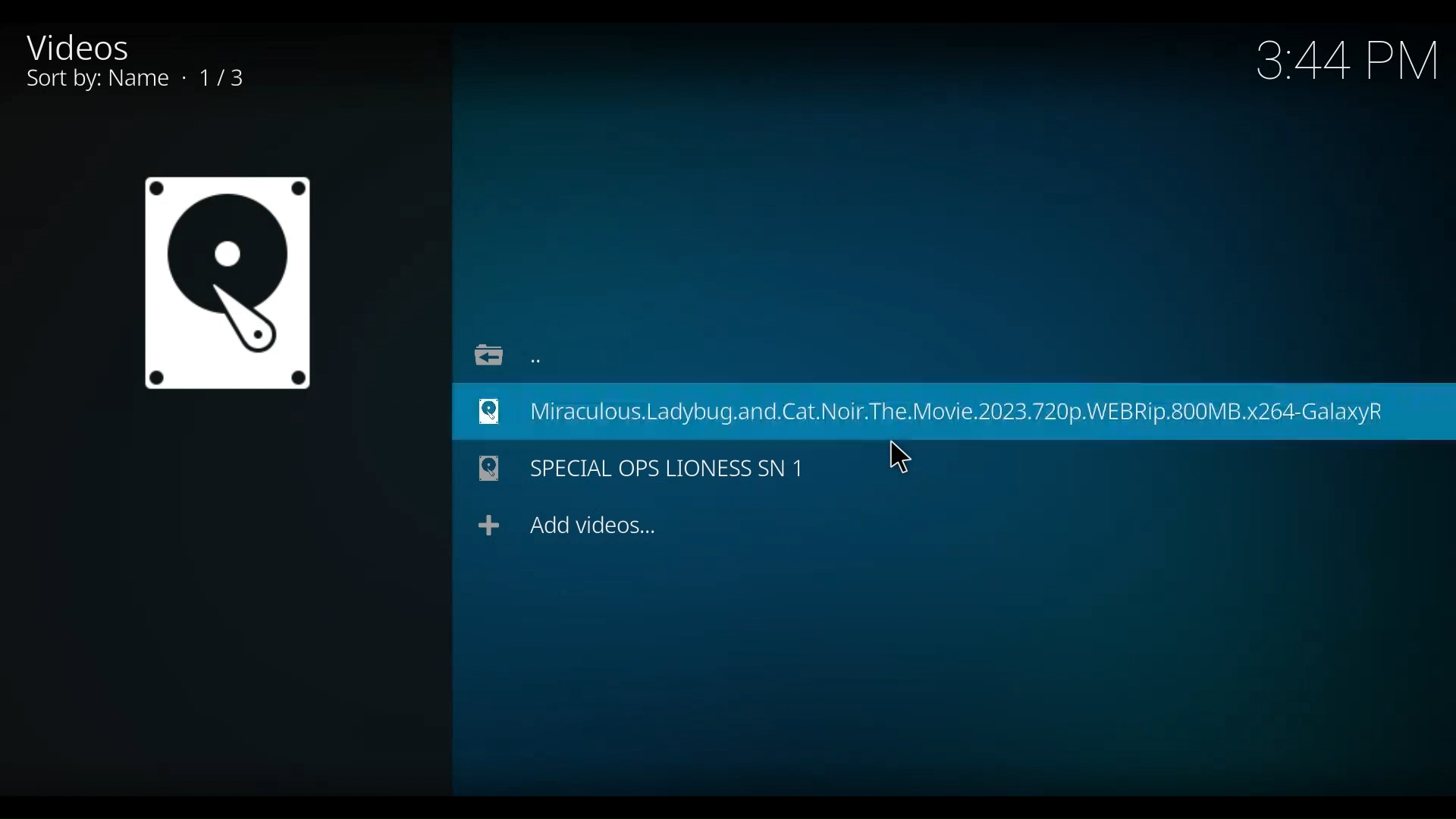  I want to click on Movie File, so click(226, 283).